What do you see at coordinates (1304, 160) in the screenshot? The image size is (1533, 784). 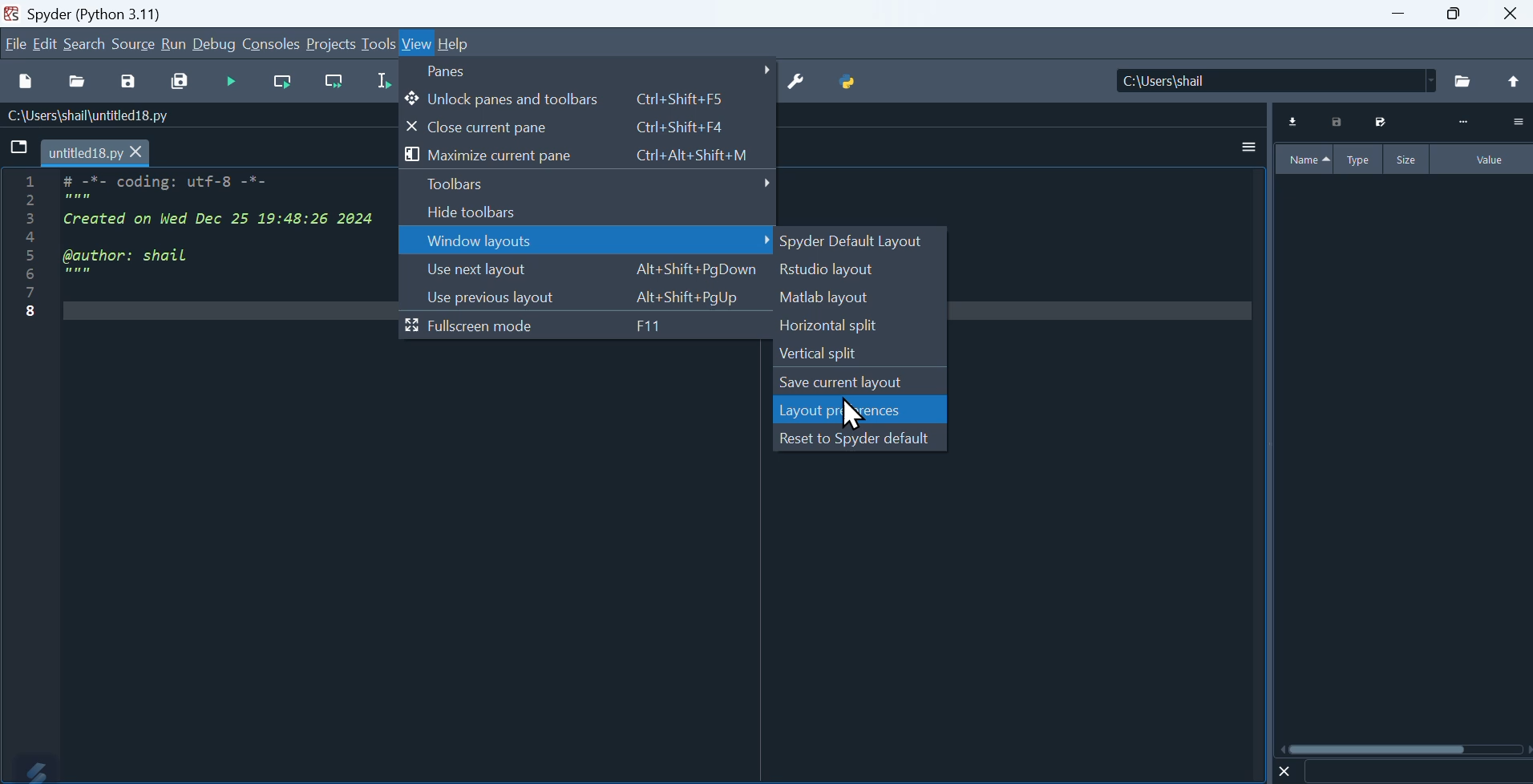 I see `Name` at bounding box center [1304, 160].